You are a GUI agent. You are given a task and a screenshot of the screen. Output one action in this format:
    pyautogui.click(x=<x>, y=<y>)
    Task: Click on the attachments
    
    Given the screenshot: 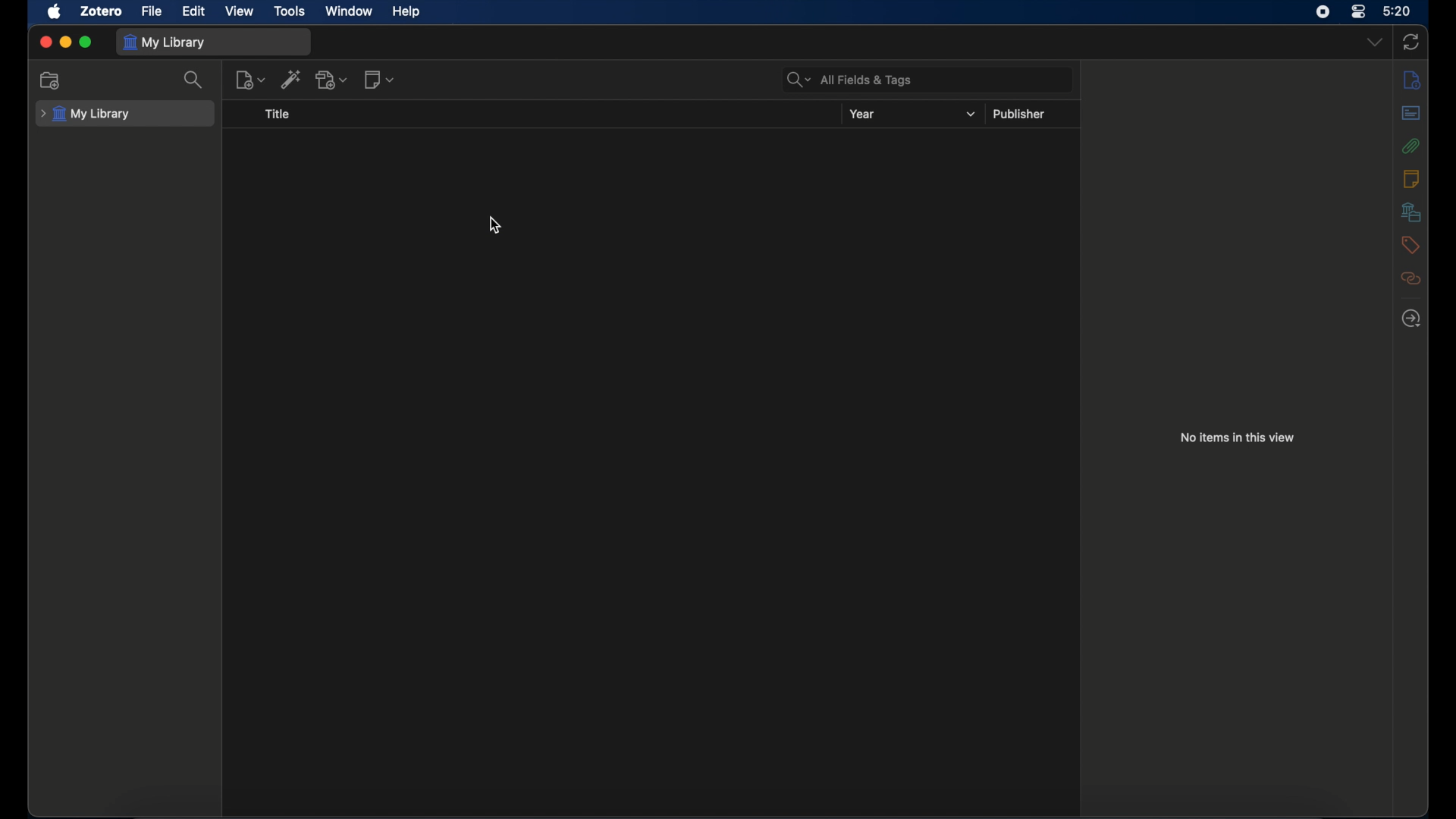 What is the action you would take?
    pyautogui.click(x=1411, y=145)
    